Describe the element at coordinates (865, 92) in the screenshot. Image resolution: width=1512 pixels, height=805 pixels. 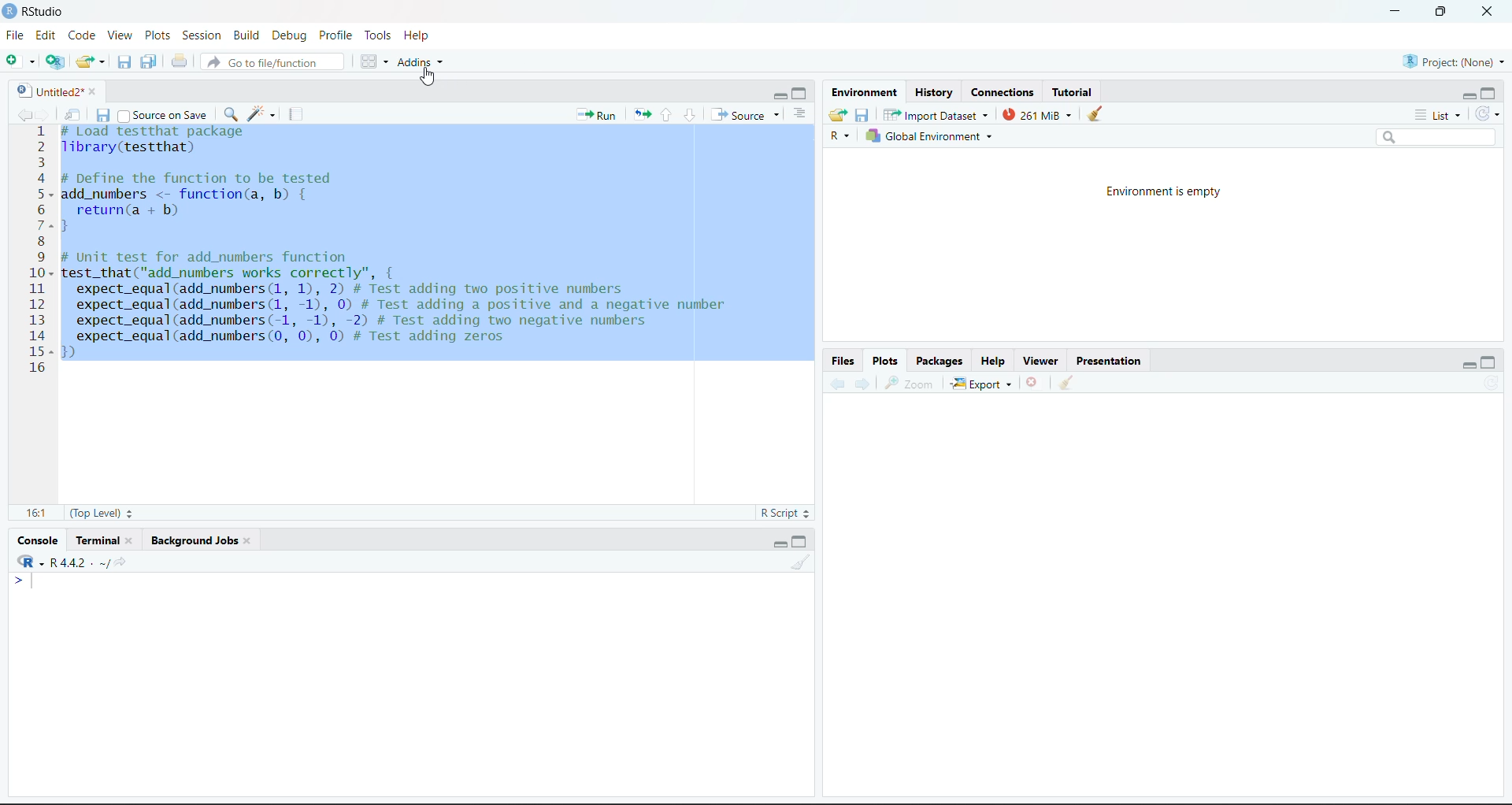
I see `Environment` at that location.